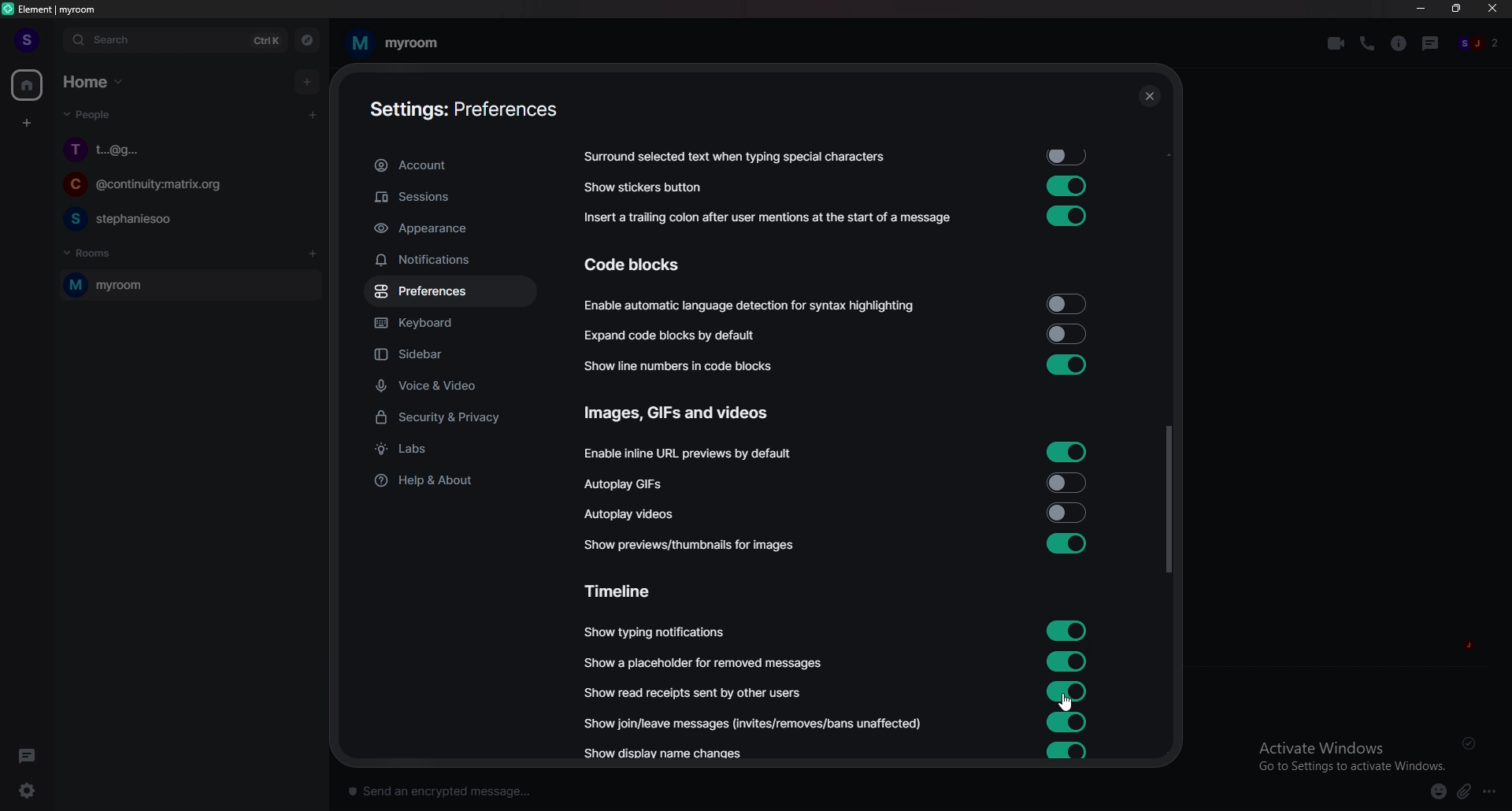 Image resolution: width=1512 pixels, height=811 pixels. What do you see at coordinates (447, 260) in the screenshot?
I see `notifications` at bounding box center [447, 260].